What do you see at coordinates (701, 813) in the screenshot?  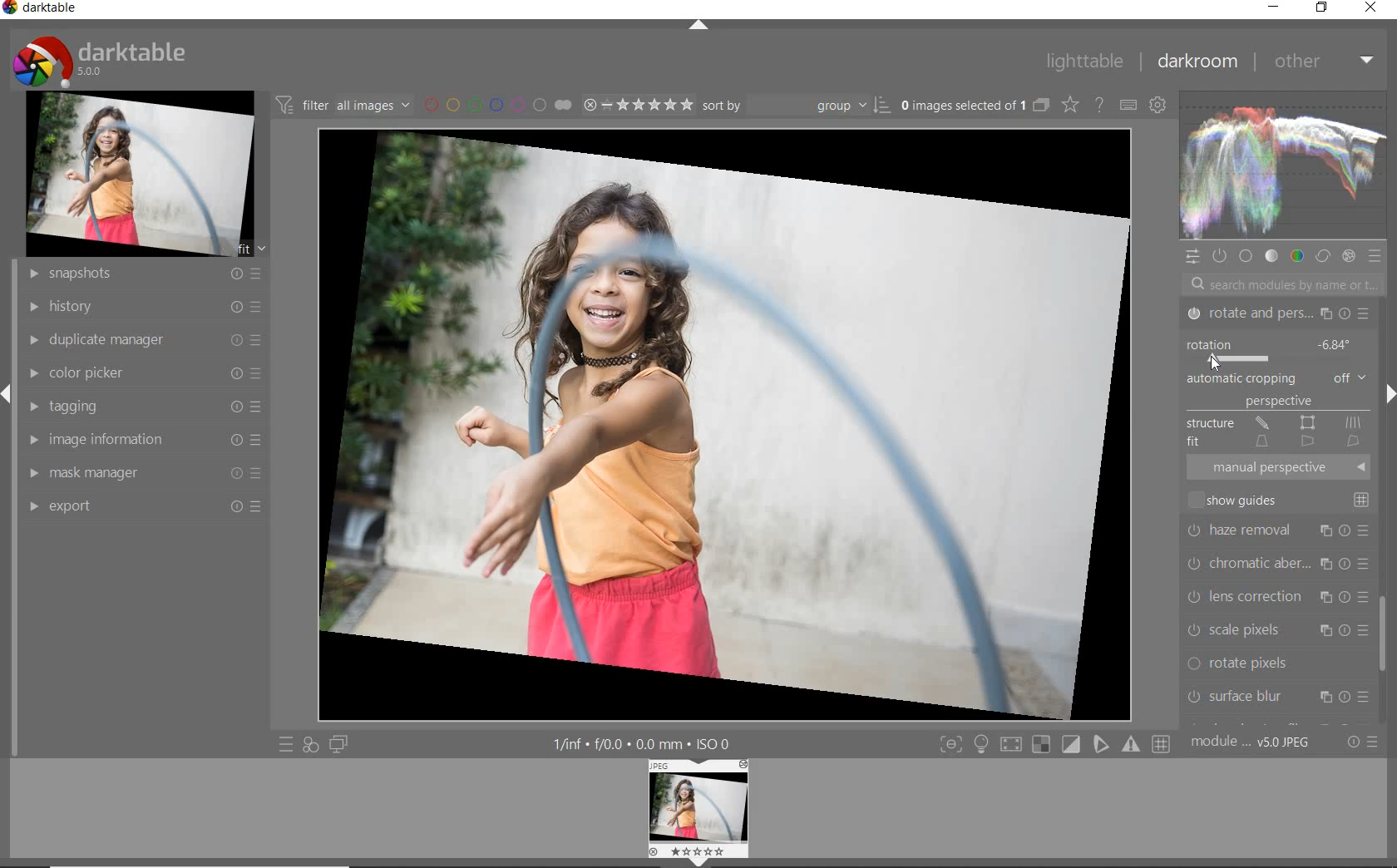 I see `image preview` at bounding box center [701, 813].